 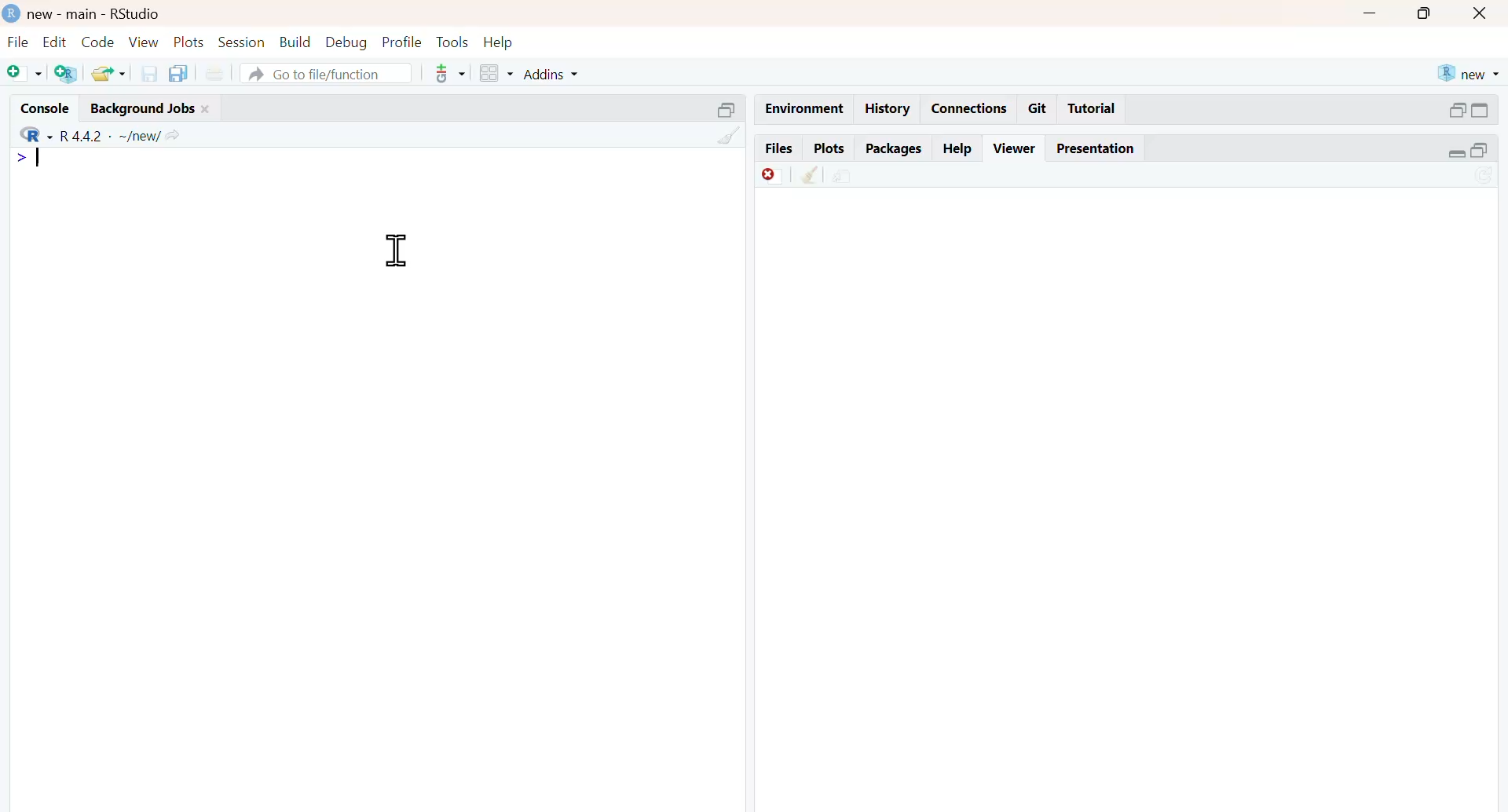 What do you see at coordinates (894, 150) in the screenshot?
I see `packages` at bounding box center [894, 150].